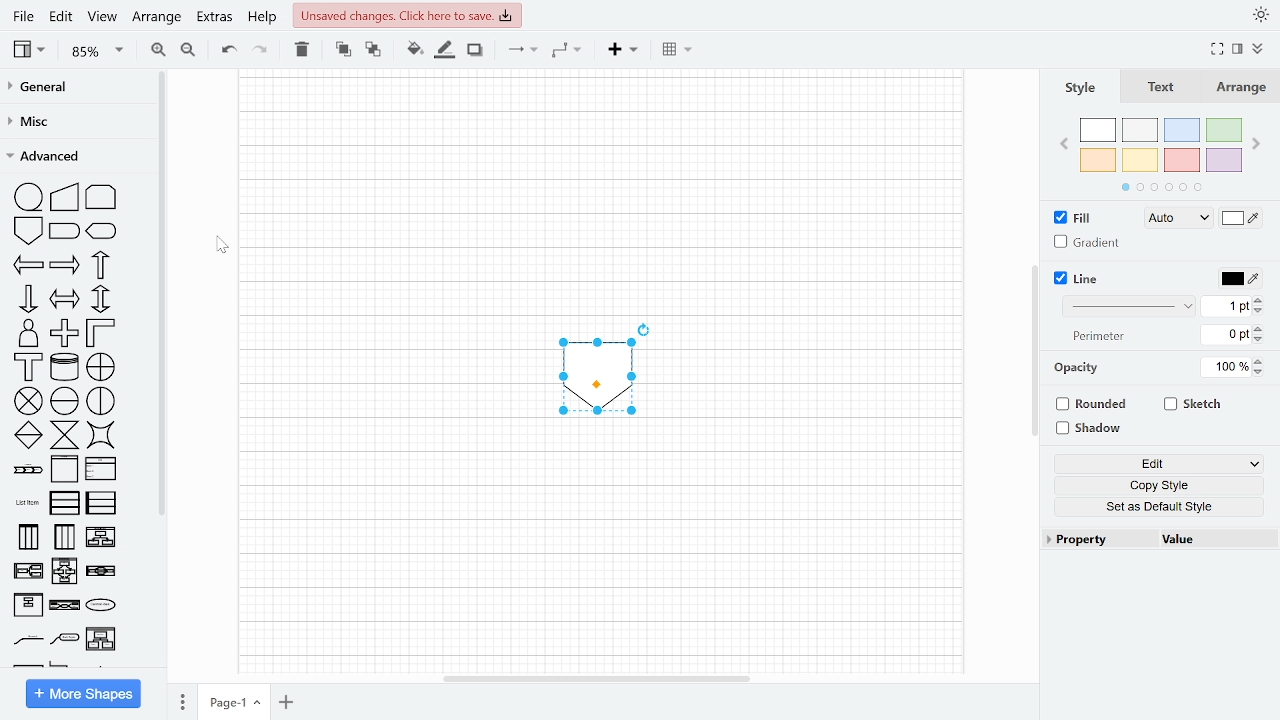  I want to click on cursor, so click(222, 244).